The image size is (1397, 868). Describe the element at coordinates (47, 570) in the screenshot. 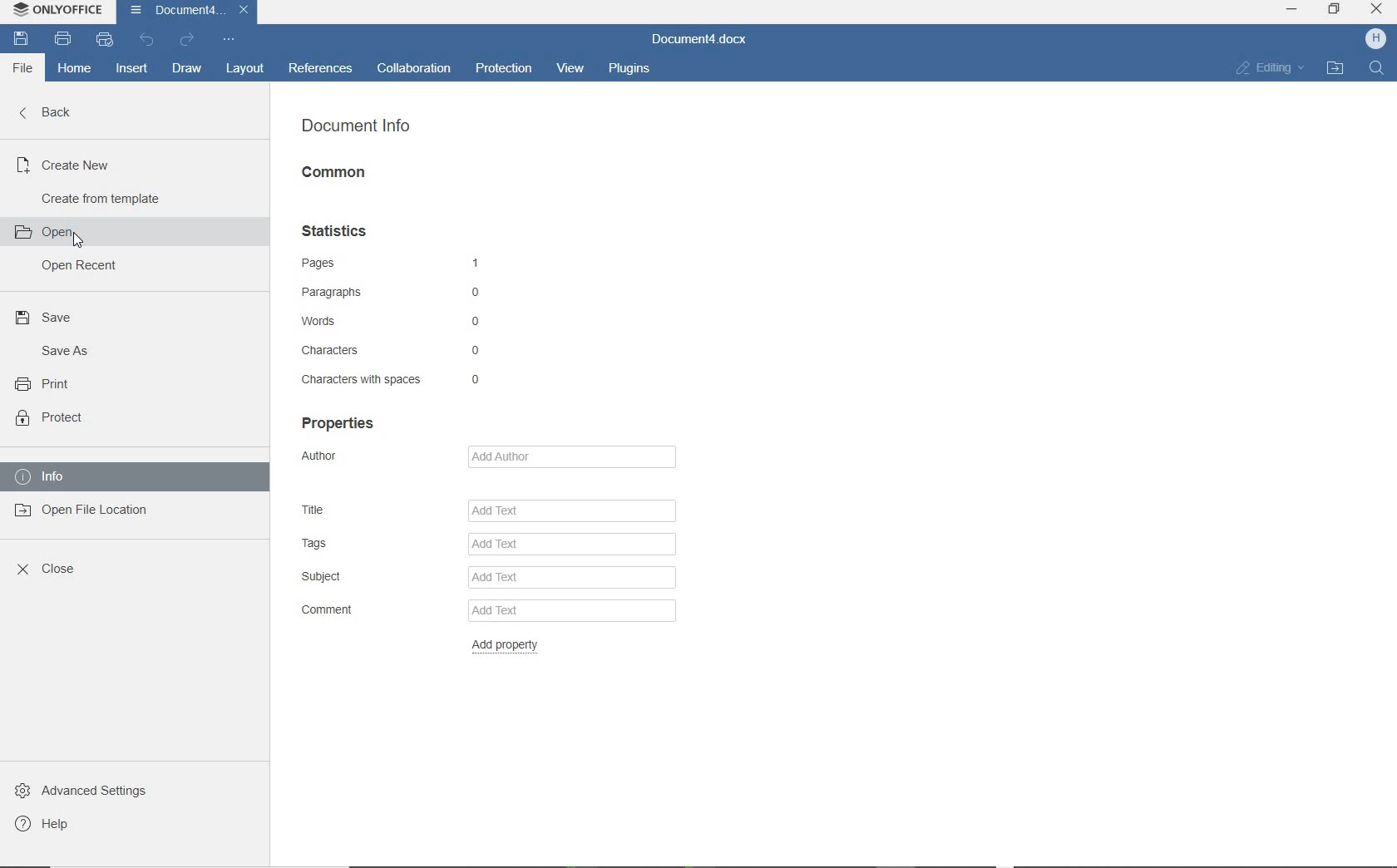

I see `close` at that location.